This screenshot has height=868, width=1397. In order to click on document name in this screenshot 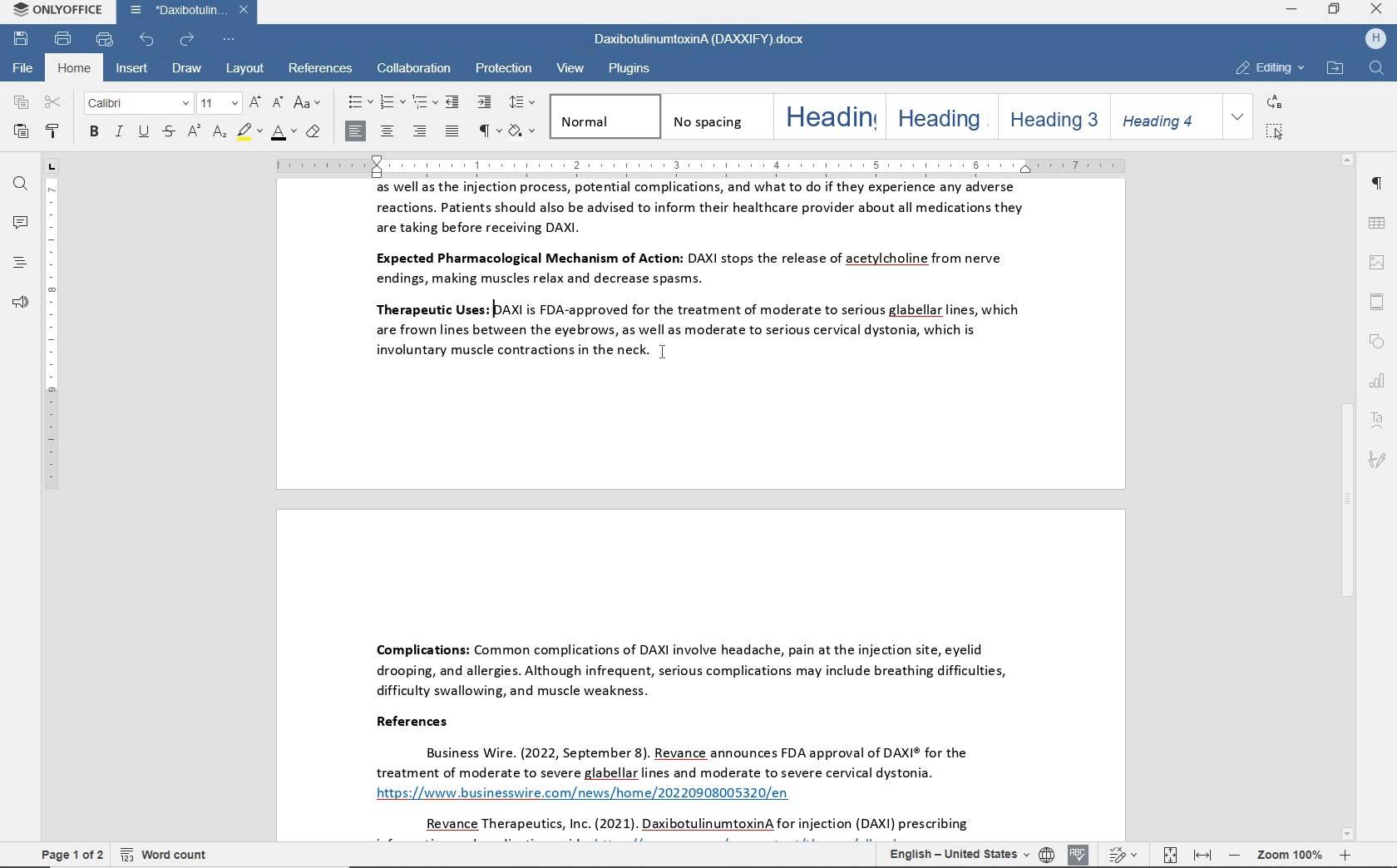, I will do `click(191, 11)`.